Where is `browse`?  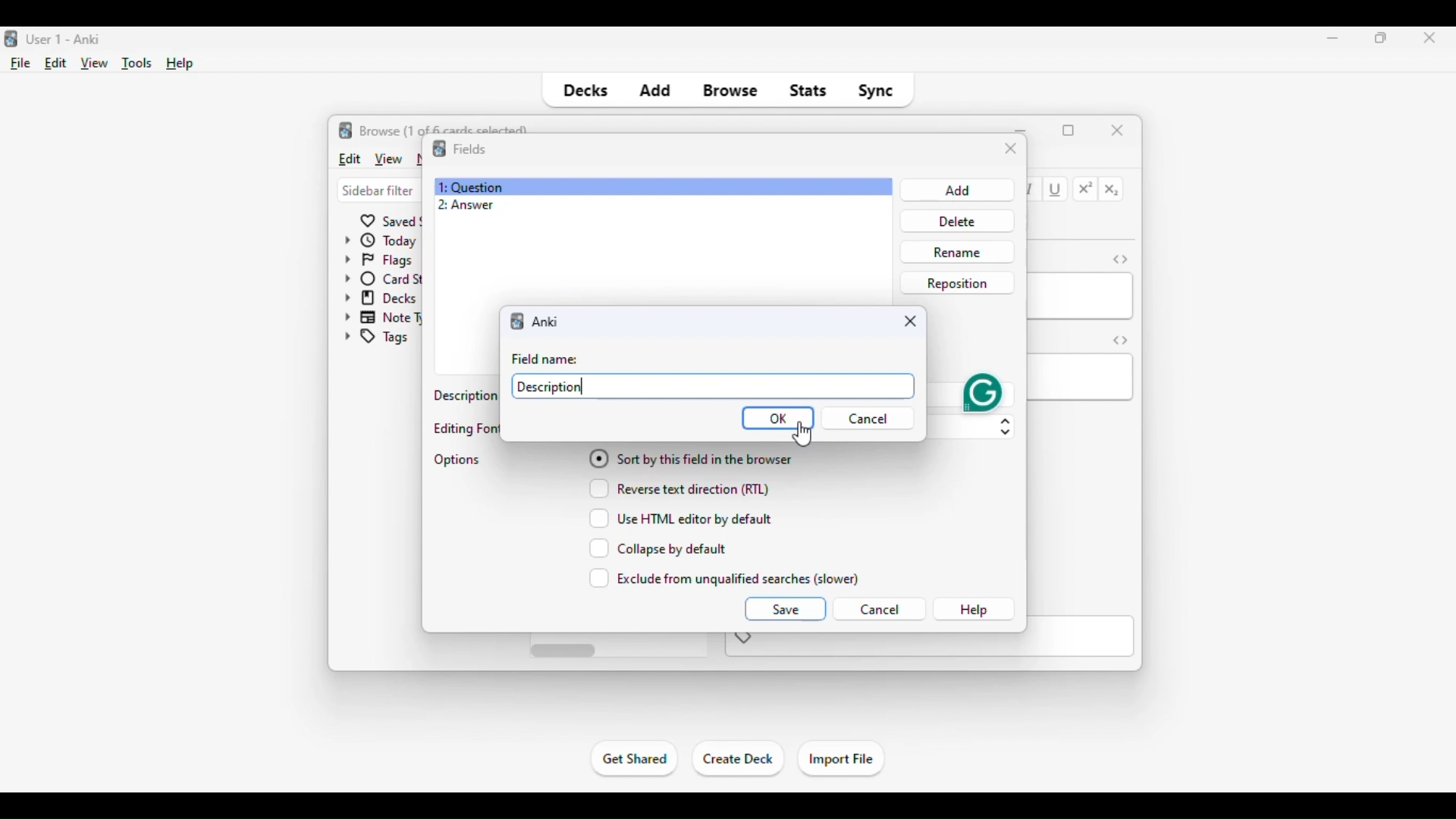 browse is located at coordinates (731, 91).